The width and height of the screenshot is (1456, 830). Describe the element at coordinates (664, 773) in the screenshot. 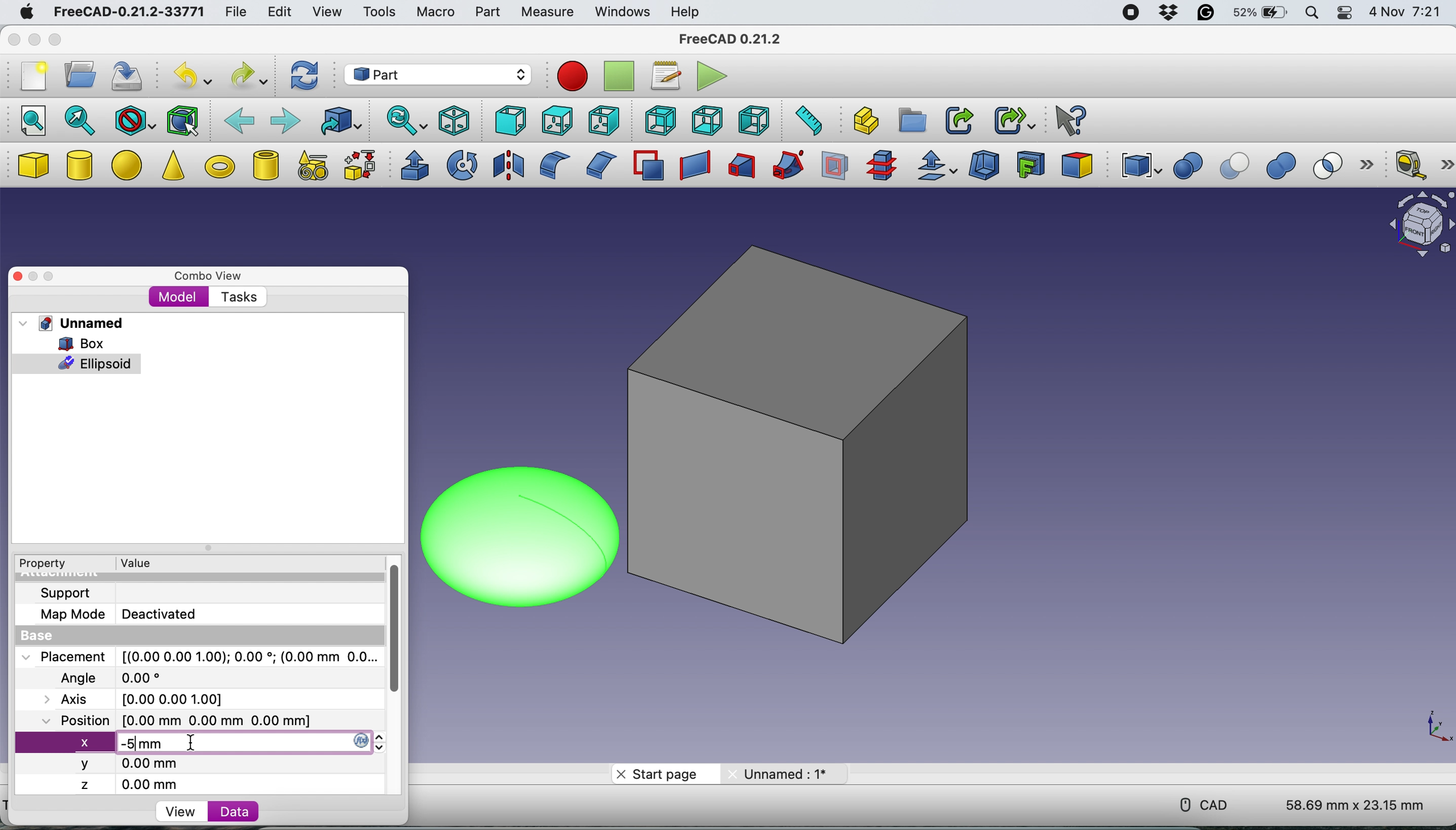

I see `start page` at that location.